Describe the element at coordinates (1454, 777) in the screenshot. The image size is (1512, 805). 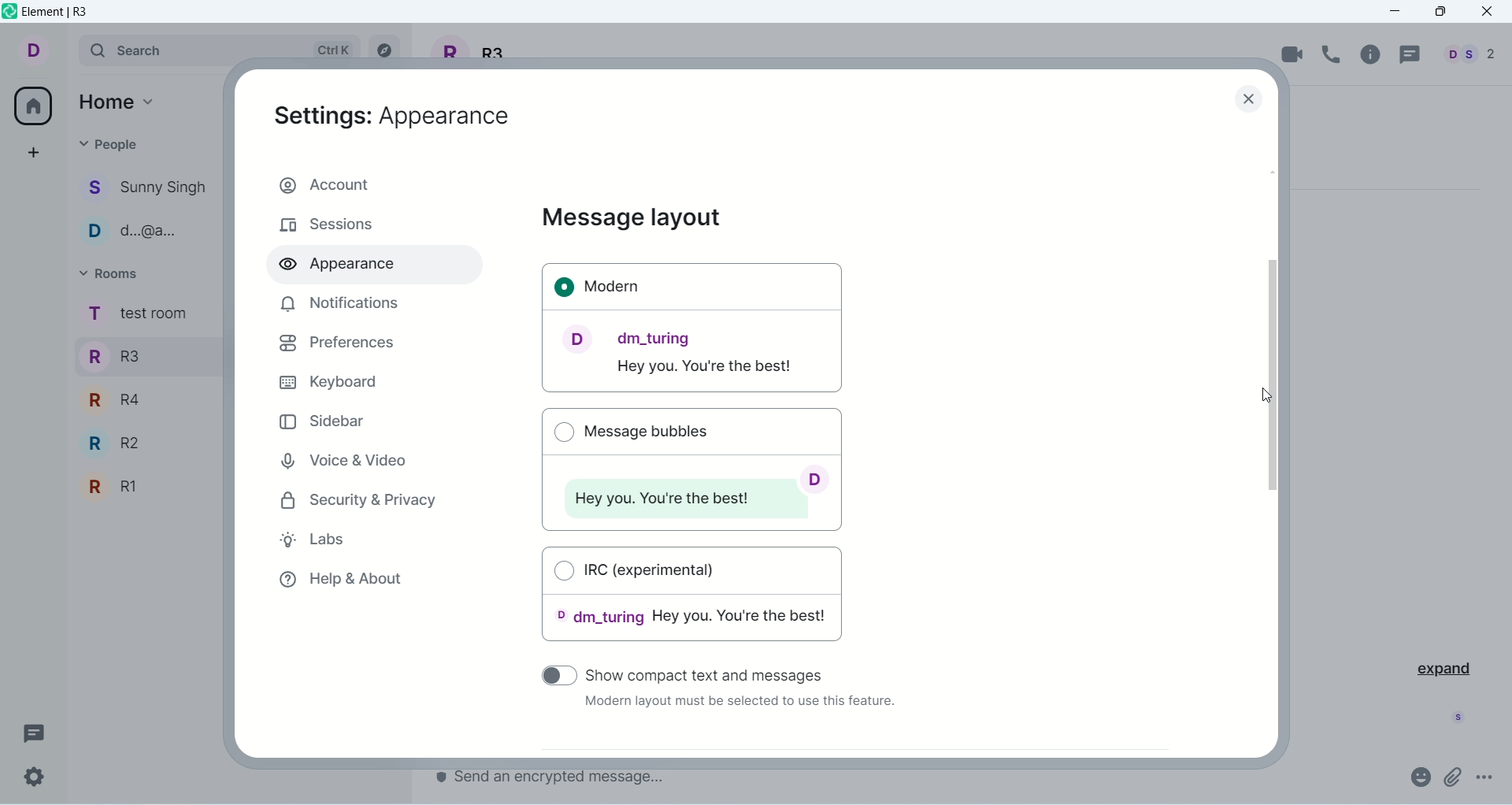
I see `attachment` at that location.